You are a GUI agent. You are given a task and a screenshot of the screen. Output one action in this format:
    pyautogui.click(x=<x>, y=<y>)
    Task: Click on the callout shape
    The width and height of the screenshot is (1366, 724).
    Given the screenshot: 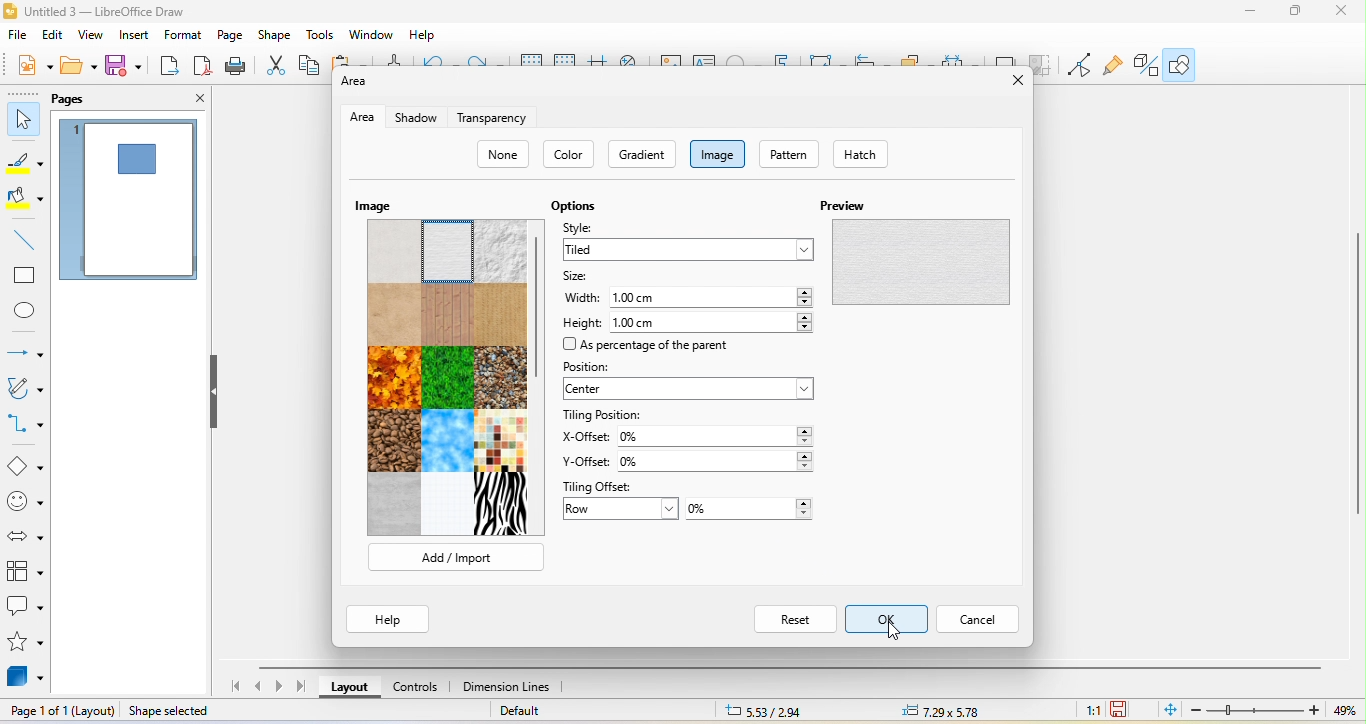 What is the action you would take?
    pyautogui.click(x=25, y=610)
    